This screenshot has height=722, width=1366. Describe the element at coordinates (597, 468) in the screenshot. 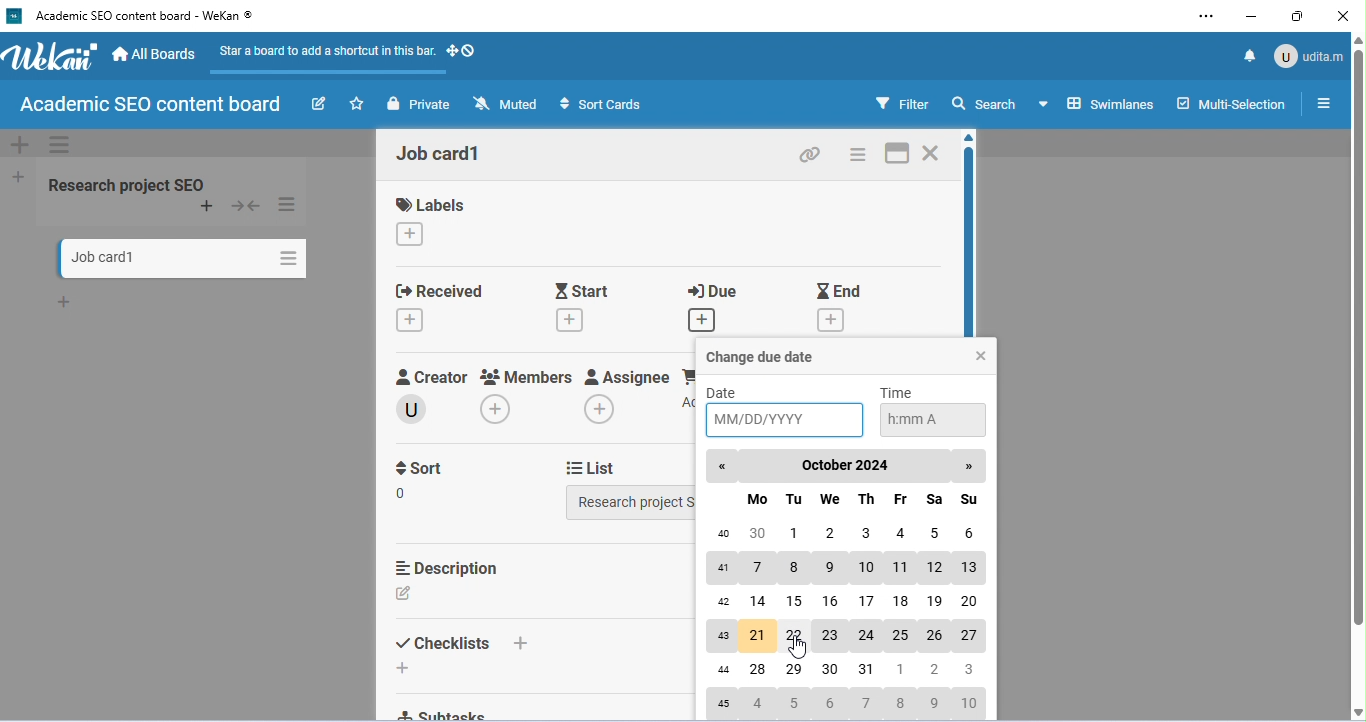

I see `list` at that location.